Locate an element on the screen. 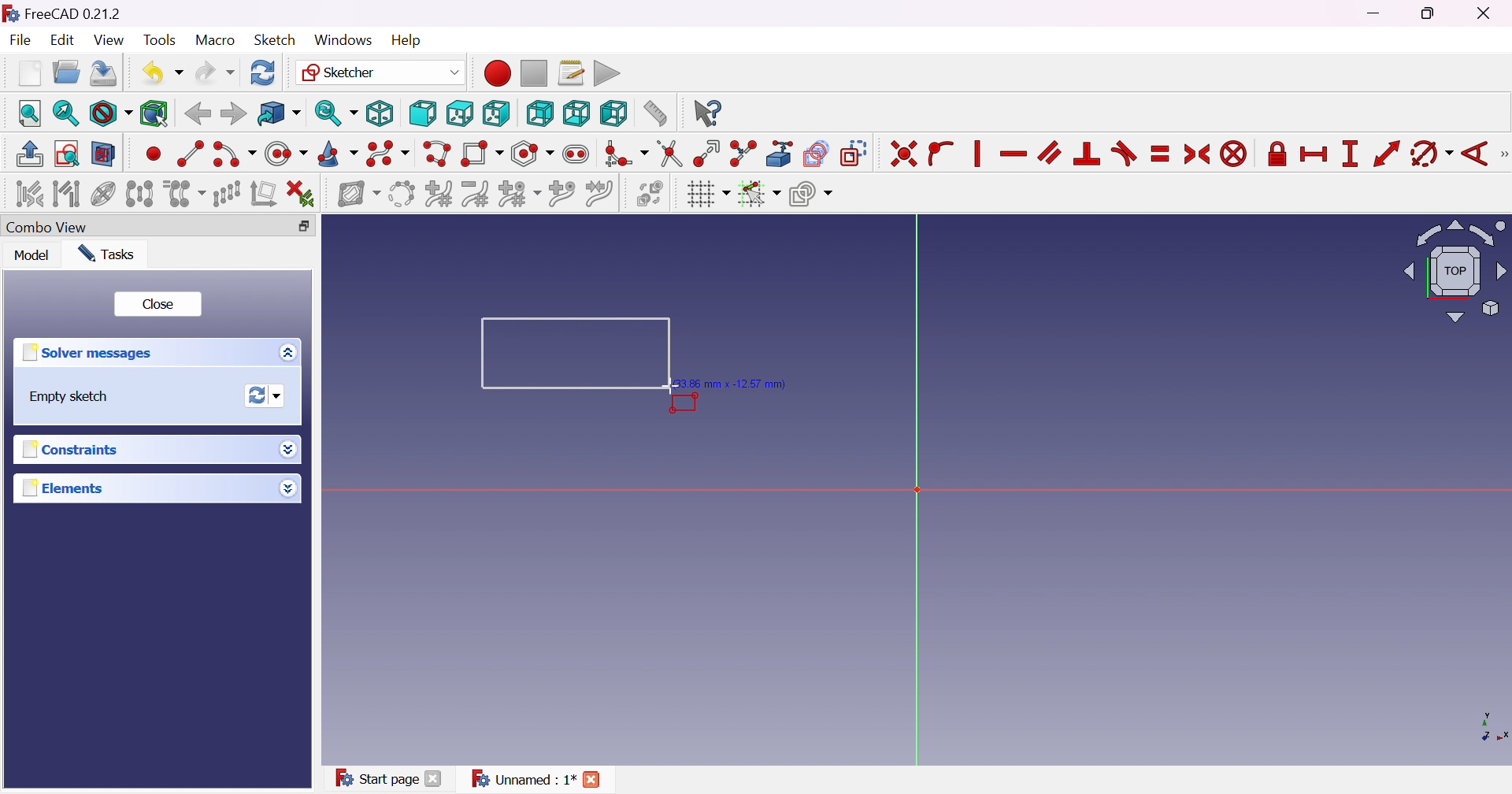 The width and height of the screenshot is (1512, 794). Constrain block is located at coordinates (1234, 155).